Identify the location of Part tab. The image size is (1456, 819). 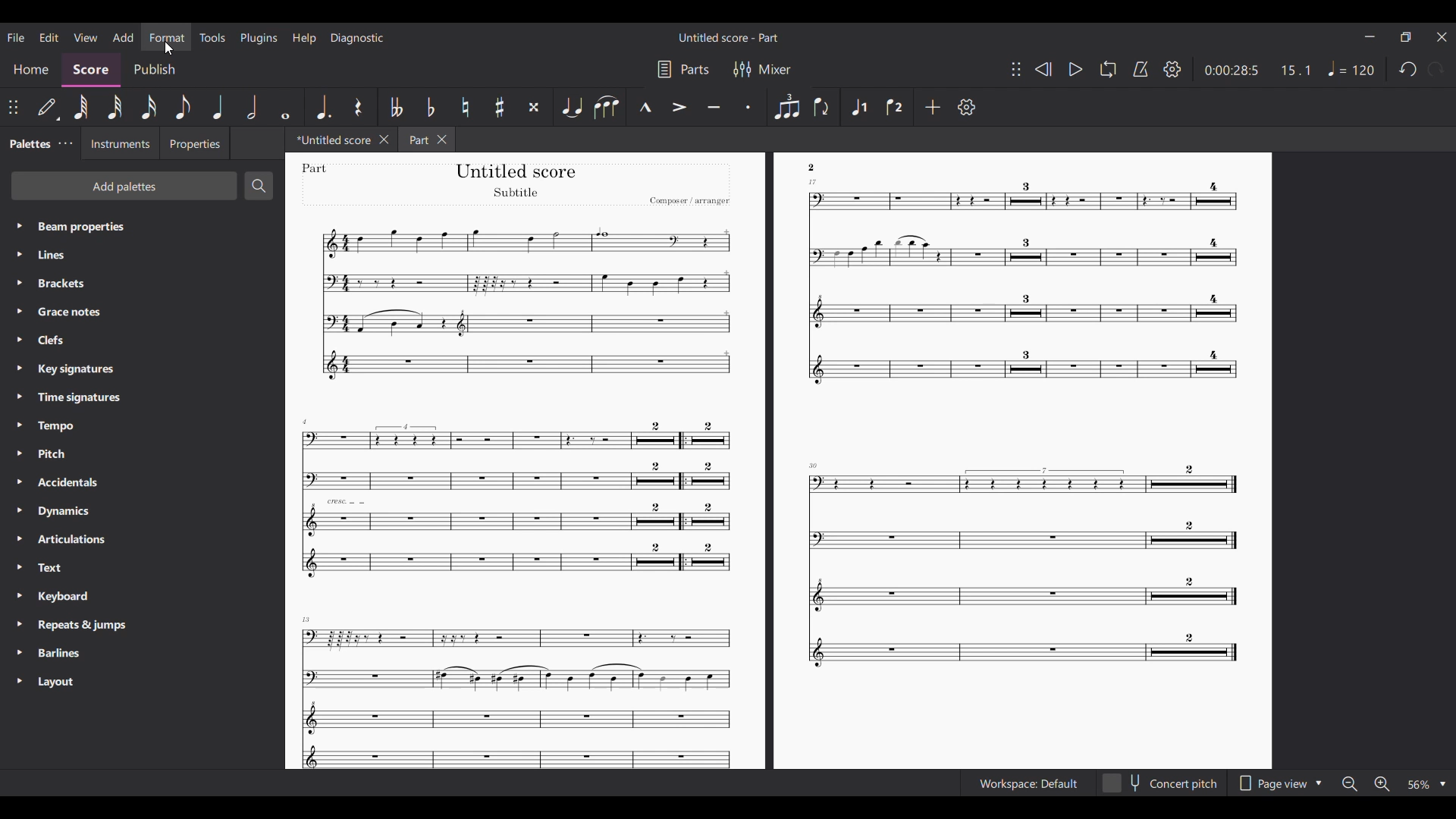
(414, 141).